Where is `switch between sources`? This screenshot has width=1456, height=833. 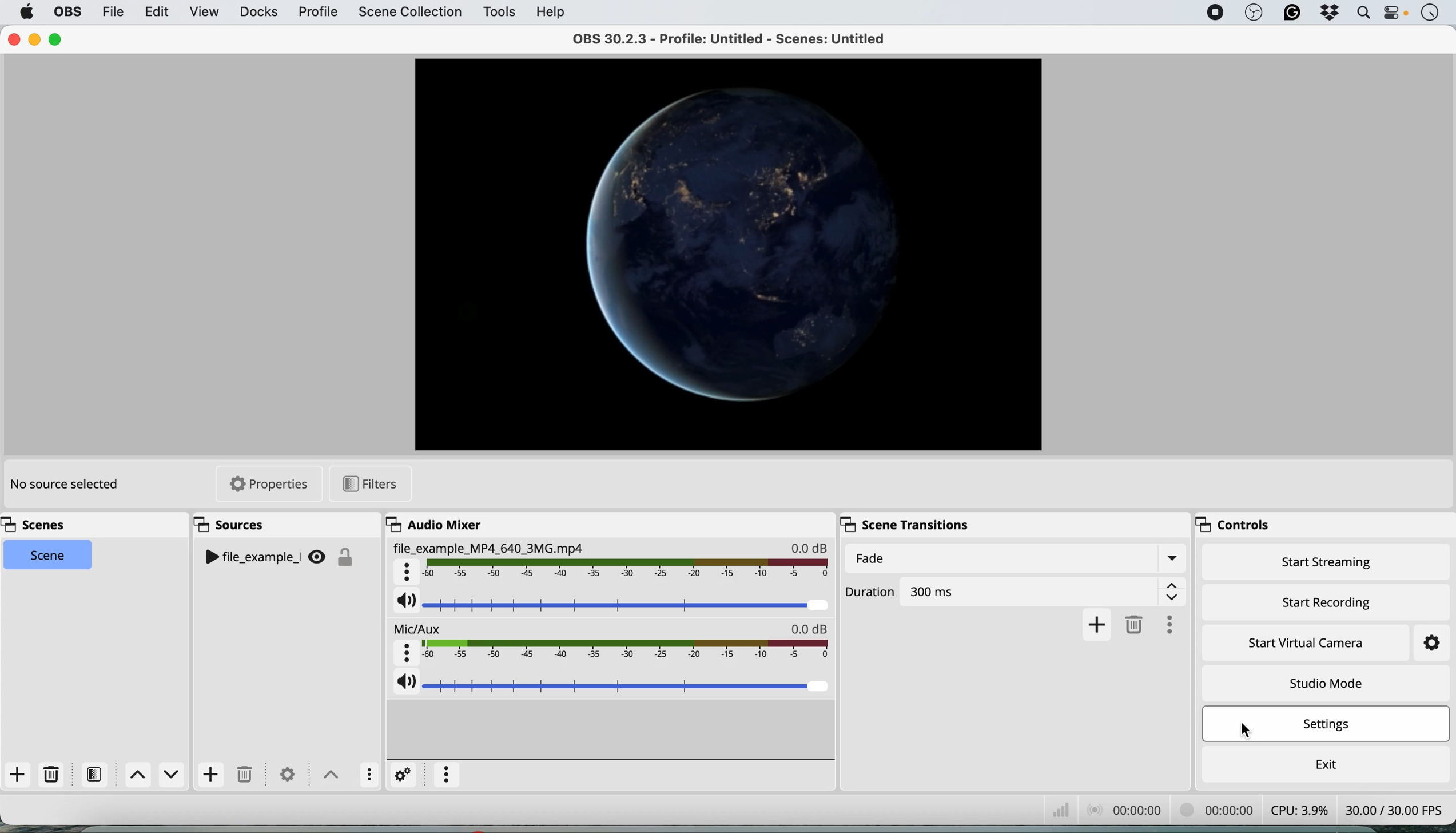
switch between sources is located at coordinates (328, 773).